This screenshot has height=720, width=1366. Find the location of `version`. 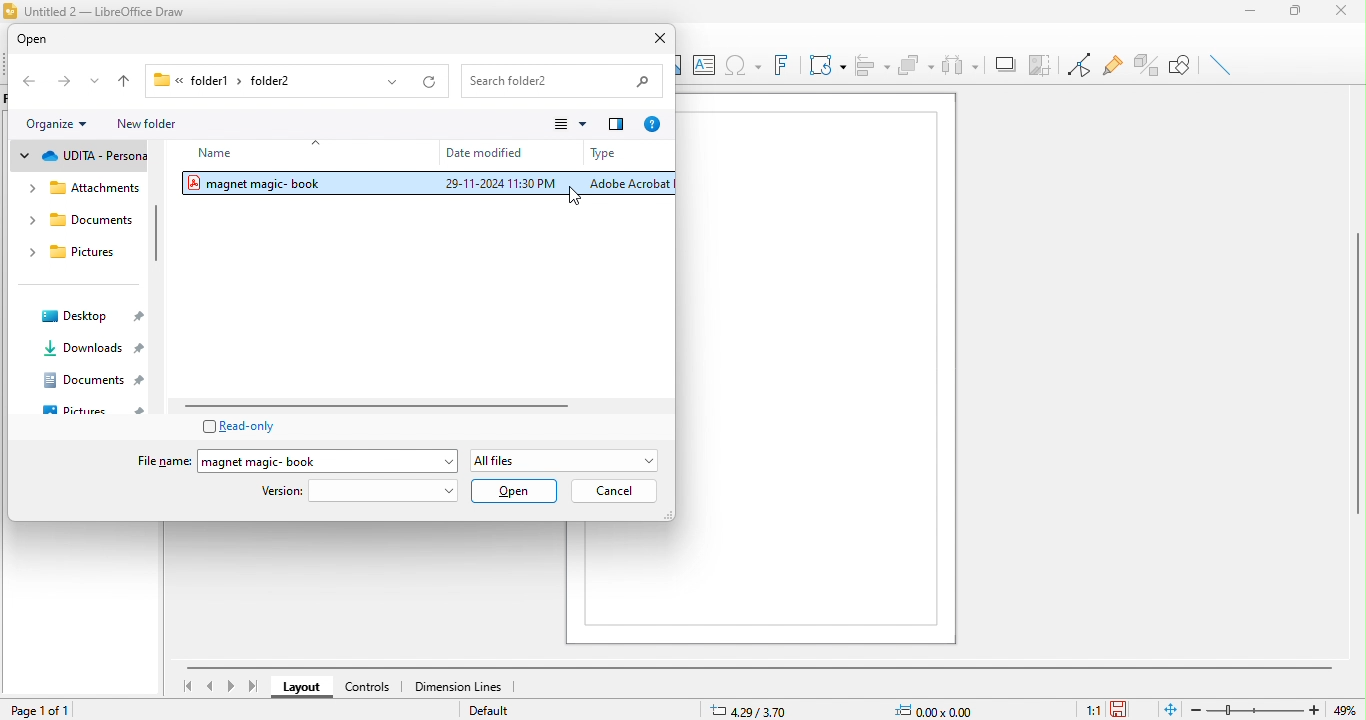

version is located at coordinates (360, 491).